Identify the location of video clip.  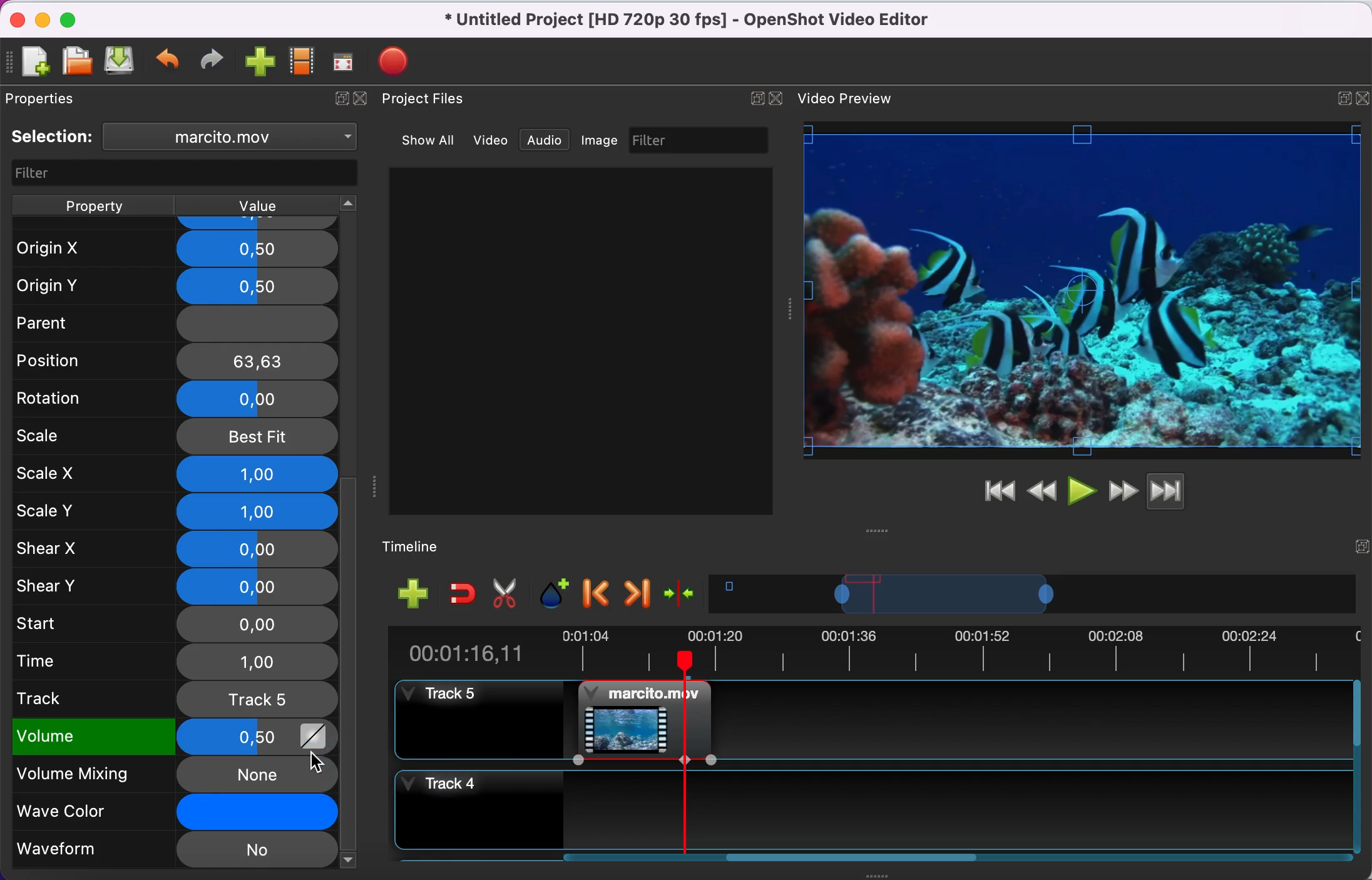
(632, 715).